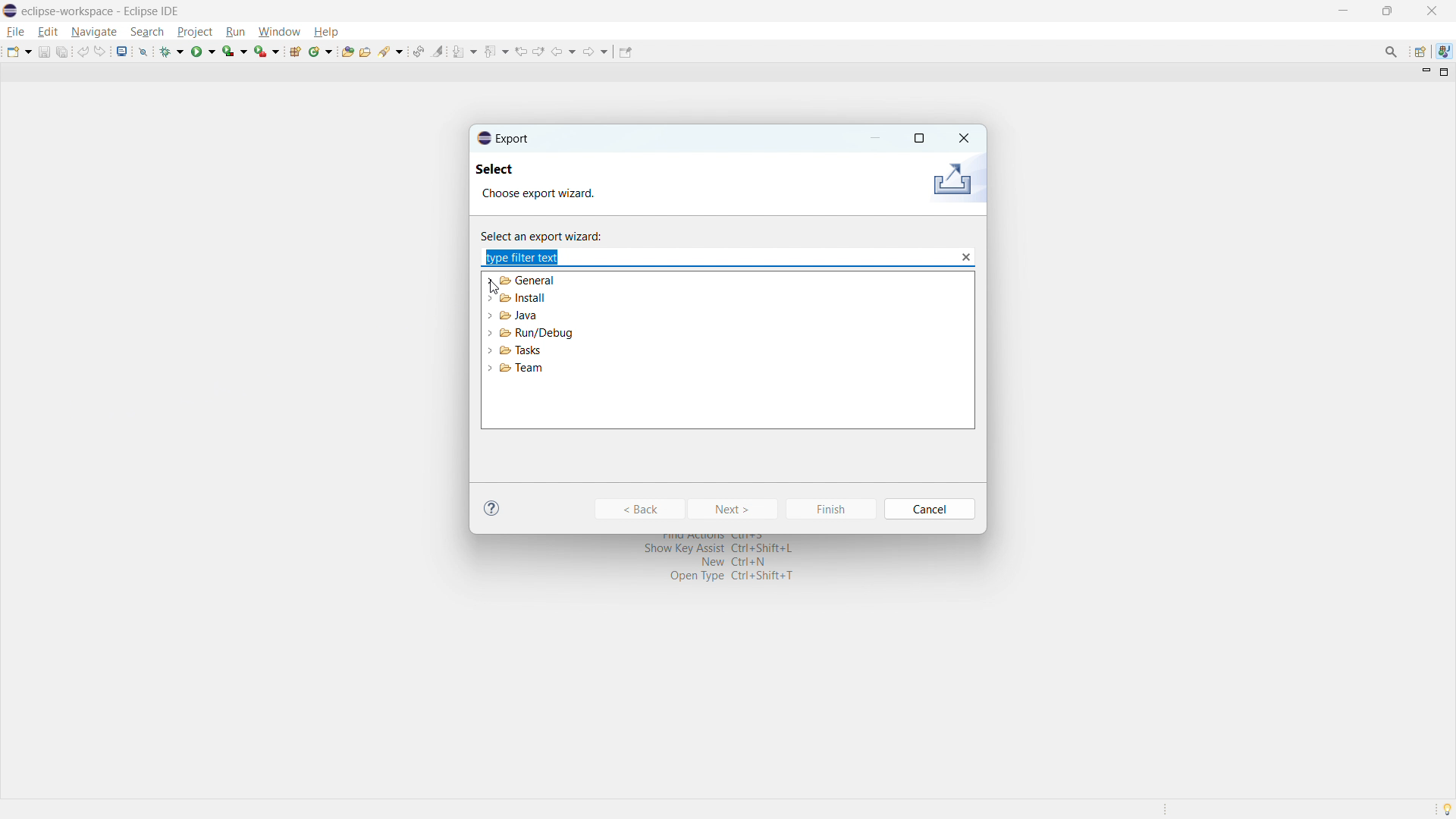 This screenshot has height=819, width=1456. Describe the element at coordinates (529, 281) in the screenshot. I see `general` at that location.